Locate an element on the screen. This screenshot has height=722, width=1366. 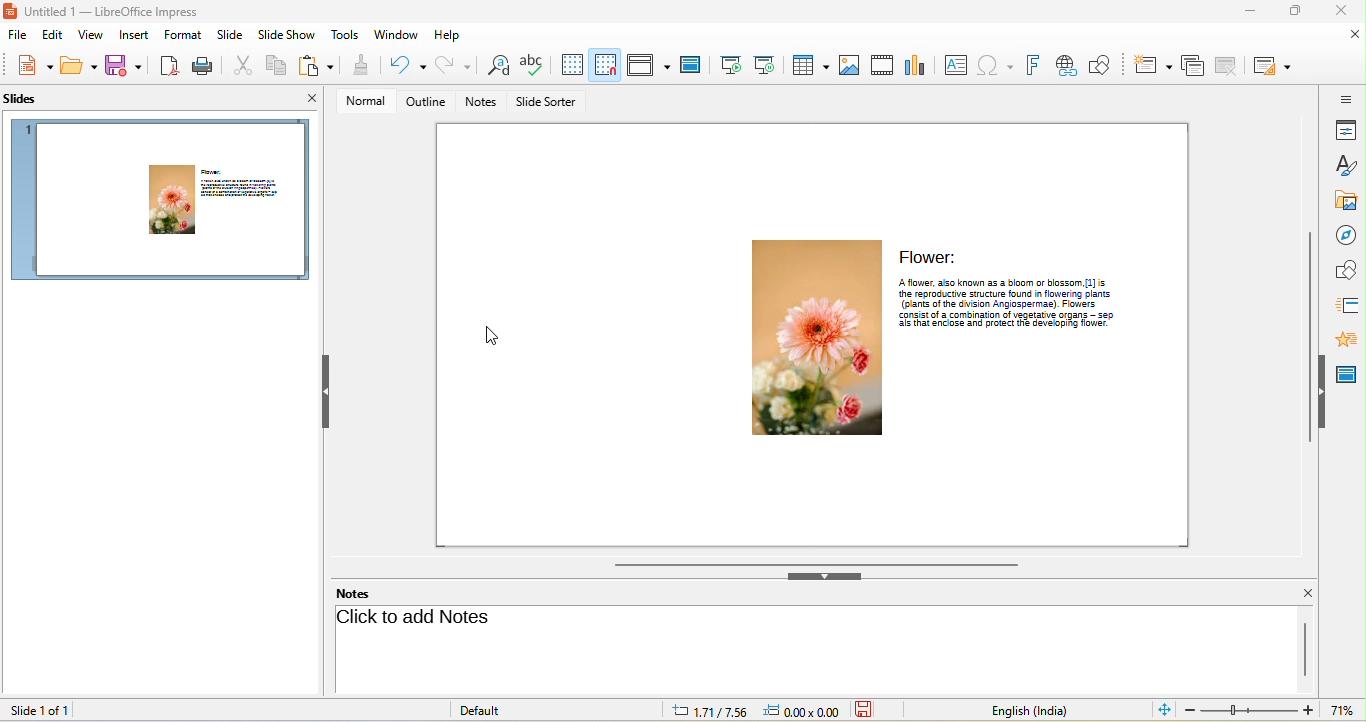
slide layout is located at coordinates (1272, 66).